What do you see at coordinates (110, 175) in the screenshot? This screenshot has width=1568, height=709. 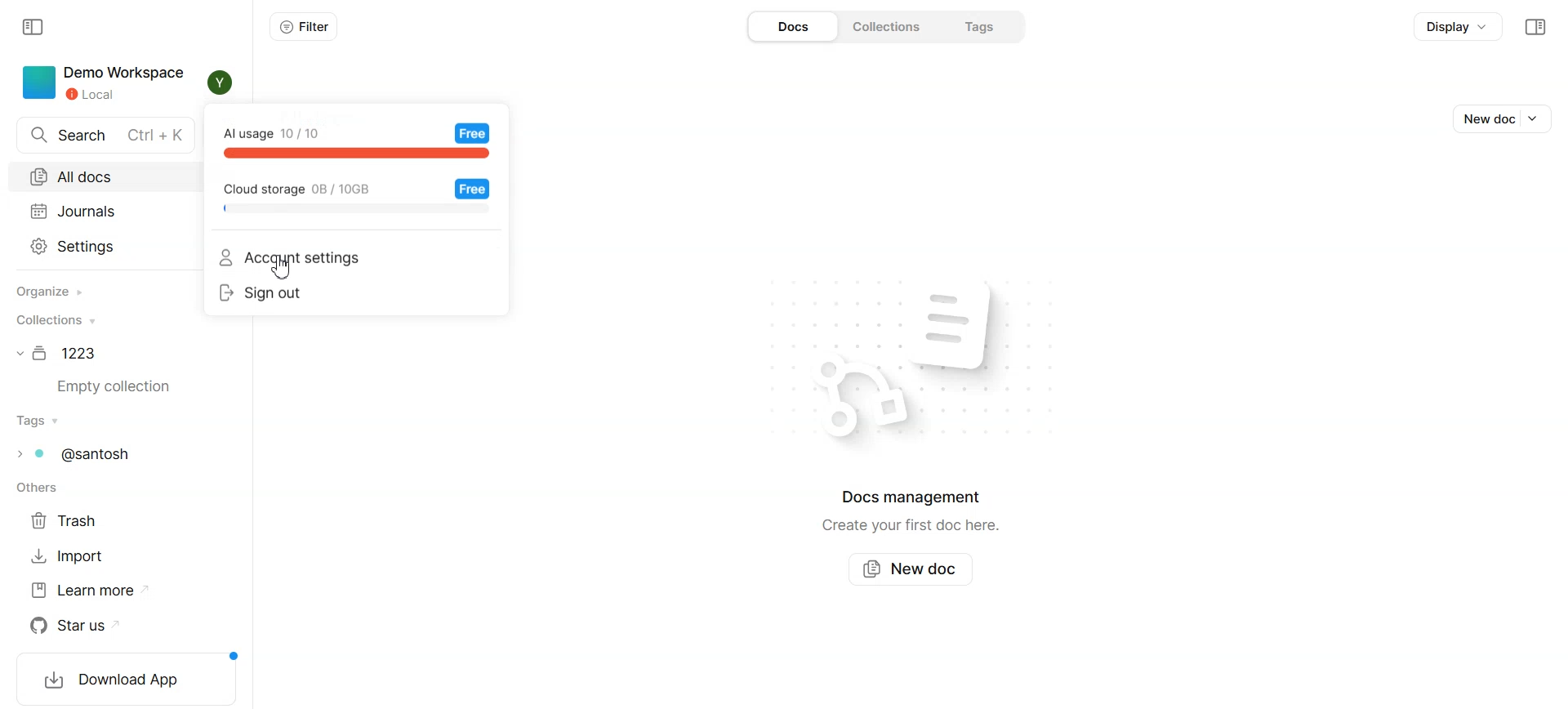 I see `All docs` at bounding box center [110, 175].